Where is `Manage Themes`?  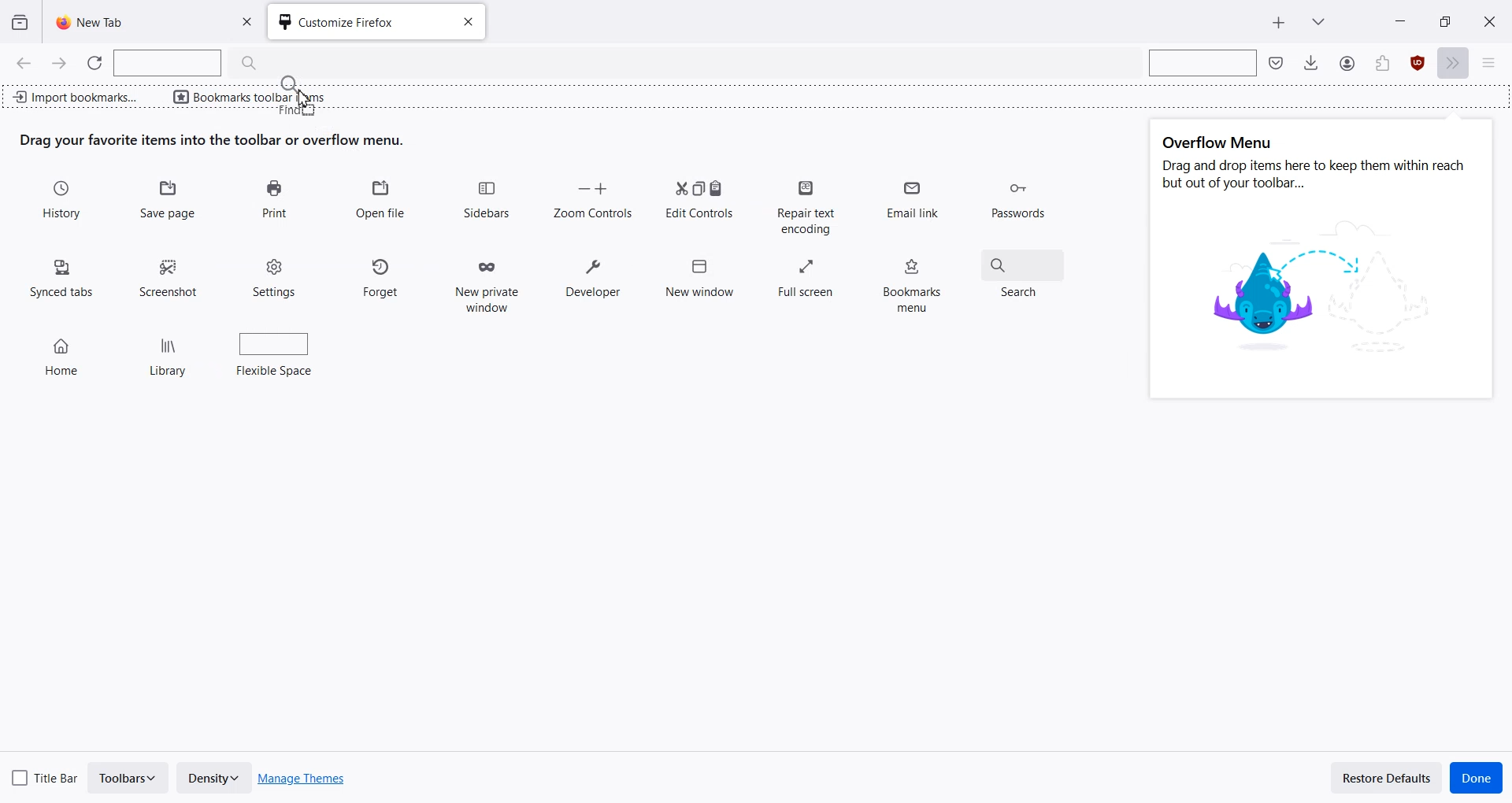
Manage Themes is located at coordinates (302, 779).